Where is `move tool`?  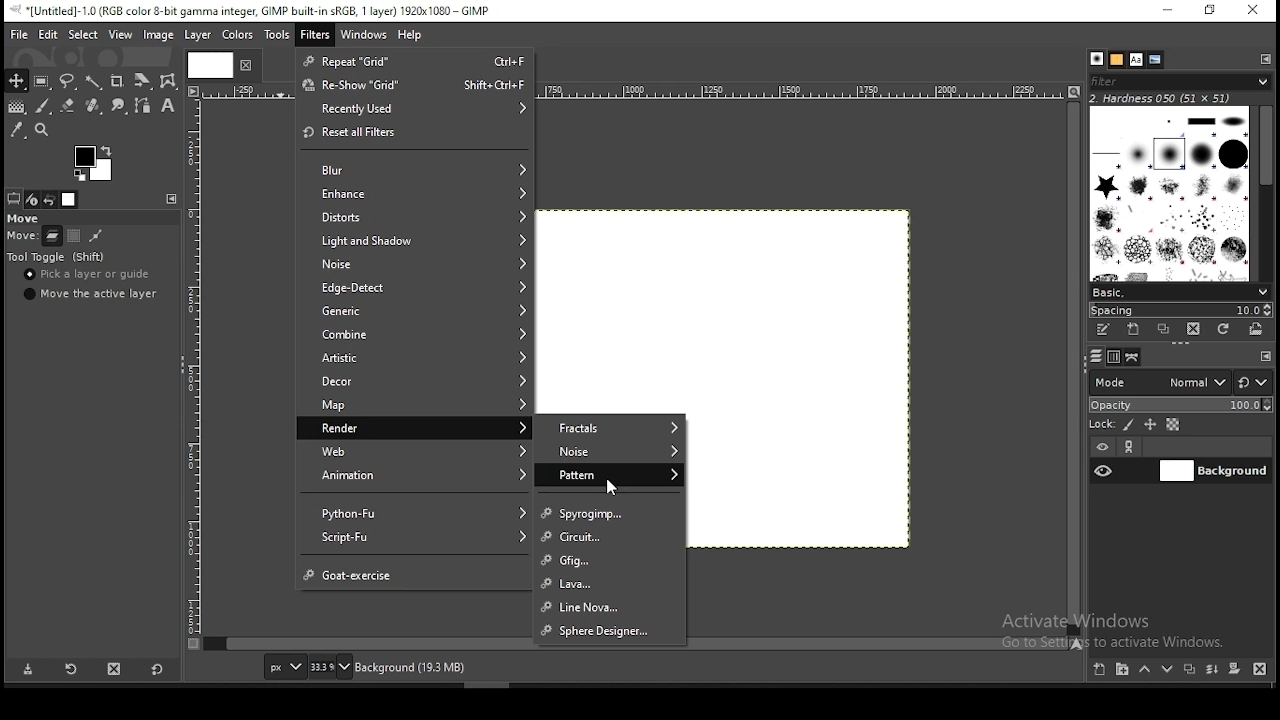 move tool is located at coordinates (16, 80).